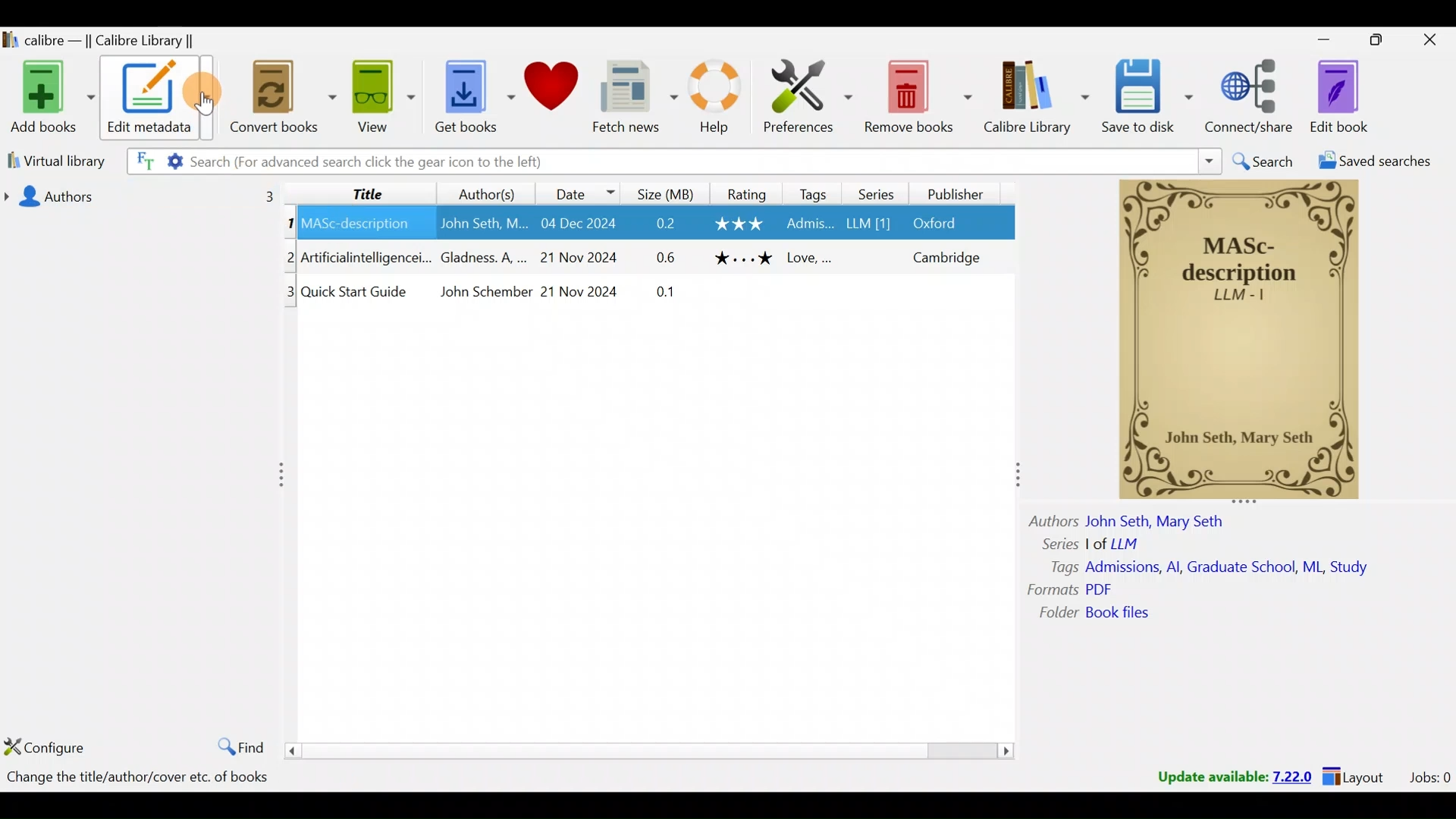 Image resolution: width=1456 pixels, height=819 pixels. Describe the element at coordinates (670, 224) in the screenshot. I see `` at that location.